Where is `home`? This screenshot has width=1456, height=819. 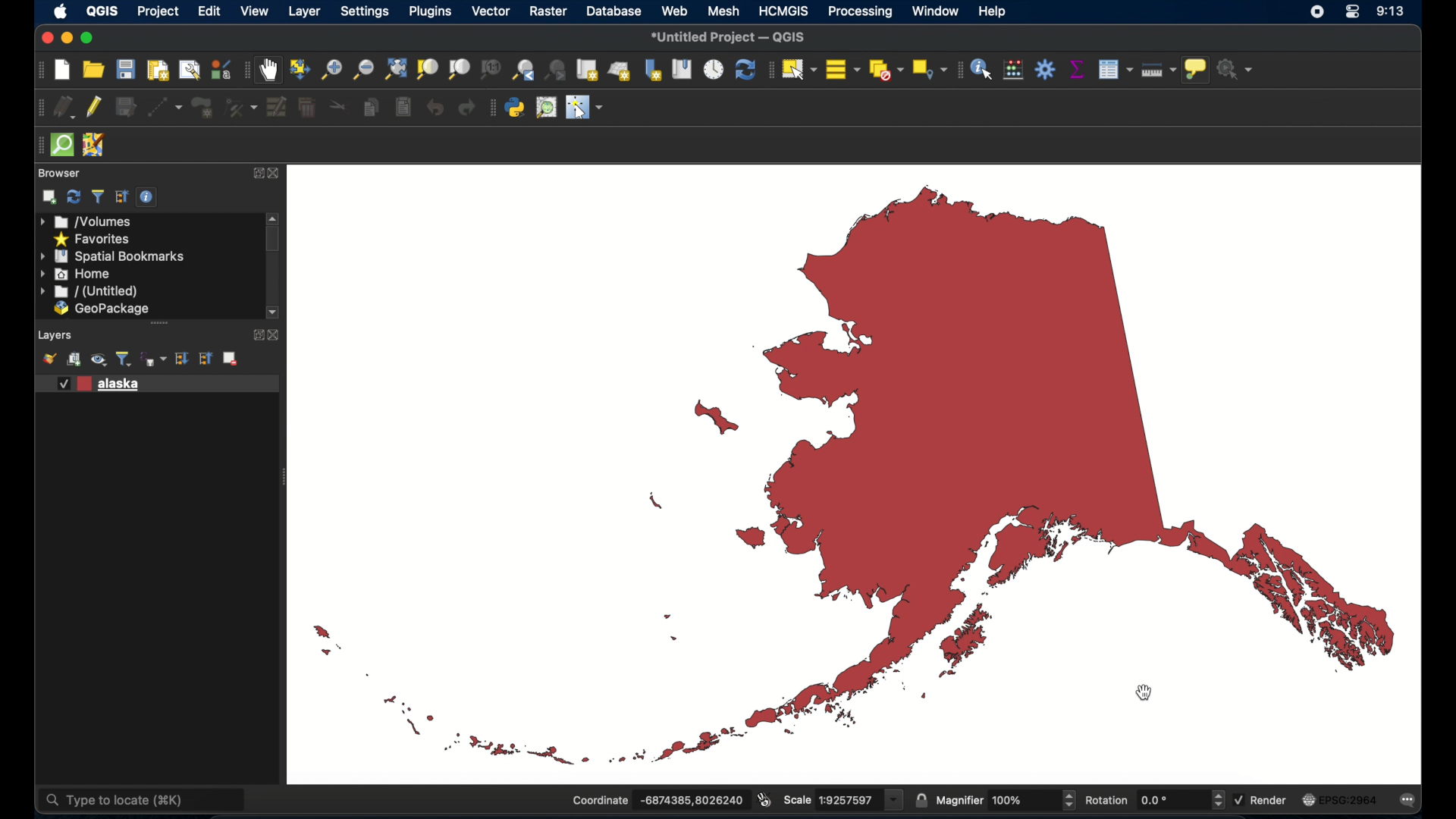
home is located at coordinates (77, 274).